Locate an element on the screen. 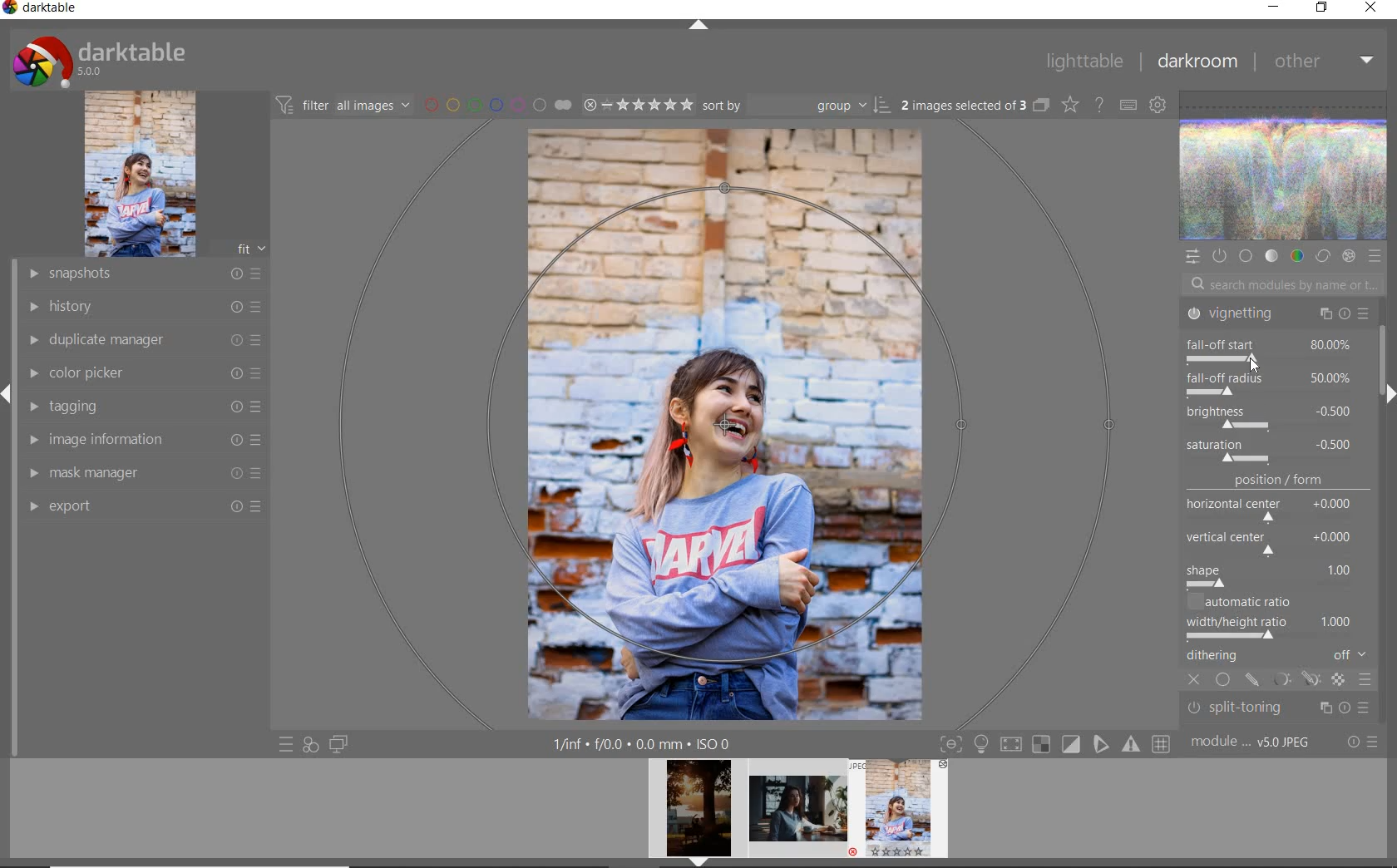 This screenshot has width=1397, height=868. reset or preset preference is located at coordinates (1361, 743).